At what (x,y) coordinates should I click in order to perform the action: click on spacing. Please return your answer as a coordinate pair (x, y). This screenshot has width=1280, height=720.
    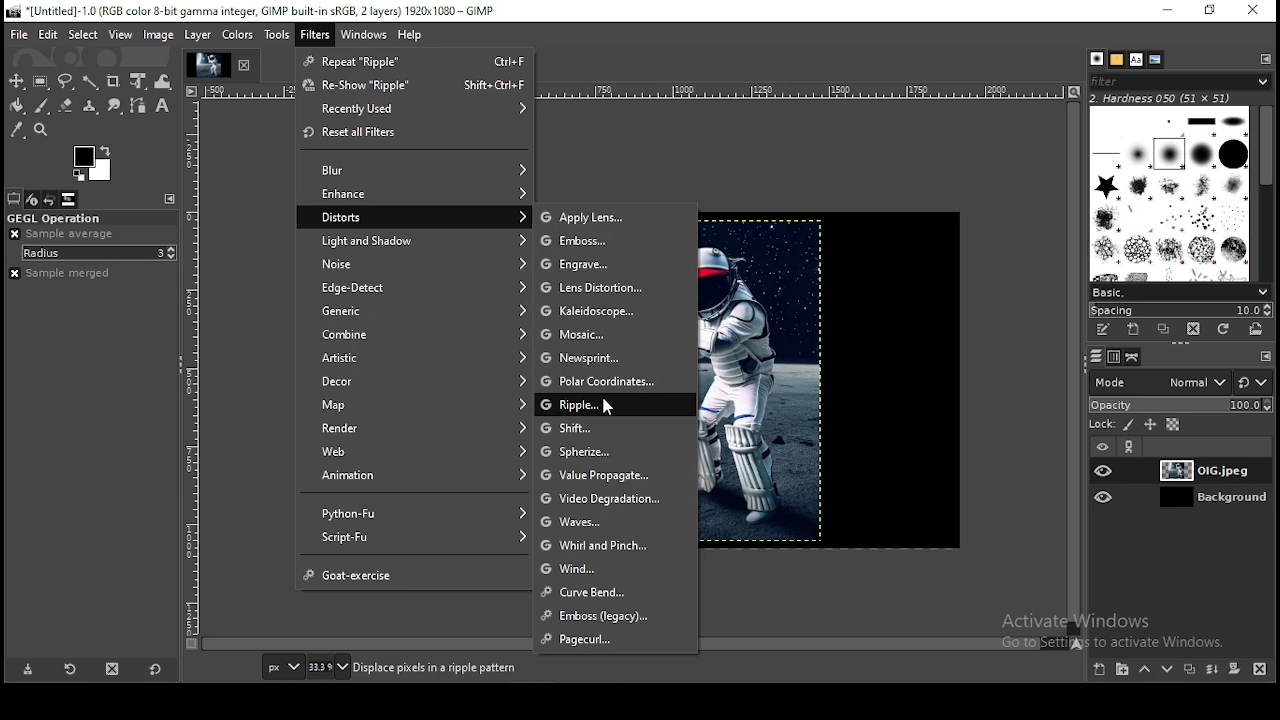
    Looking at the image, I should click on (1181, 310).